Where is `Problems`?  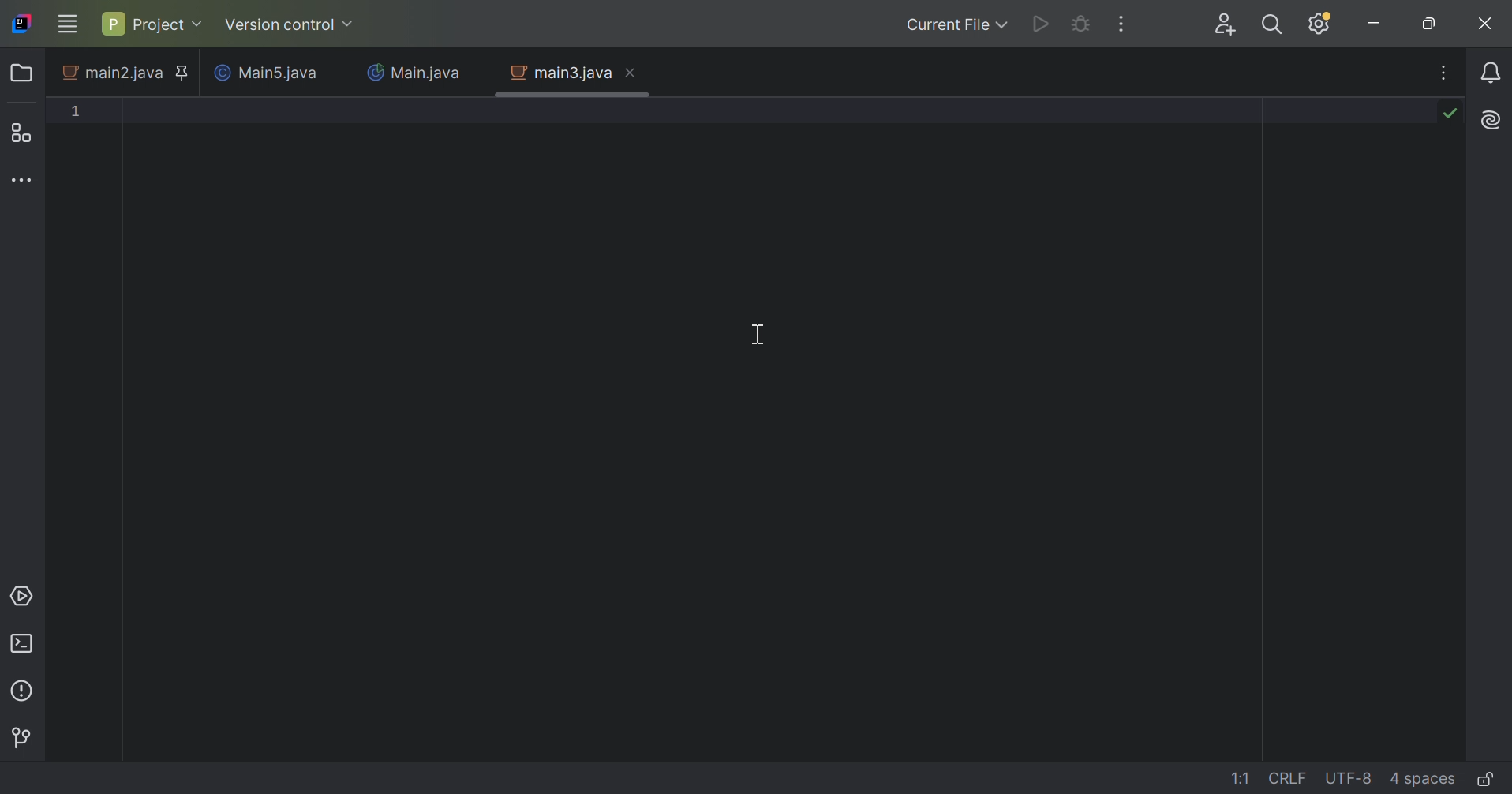
Problems is located at coordinates (22, 691).